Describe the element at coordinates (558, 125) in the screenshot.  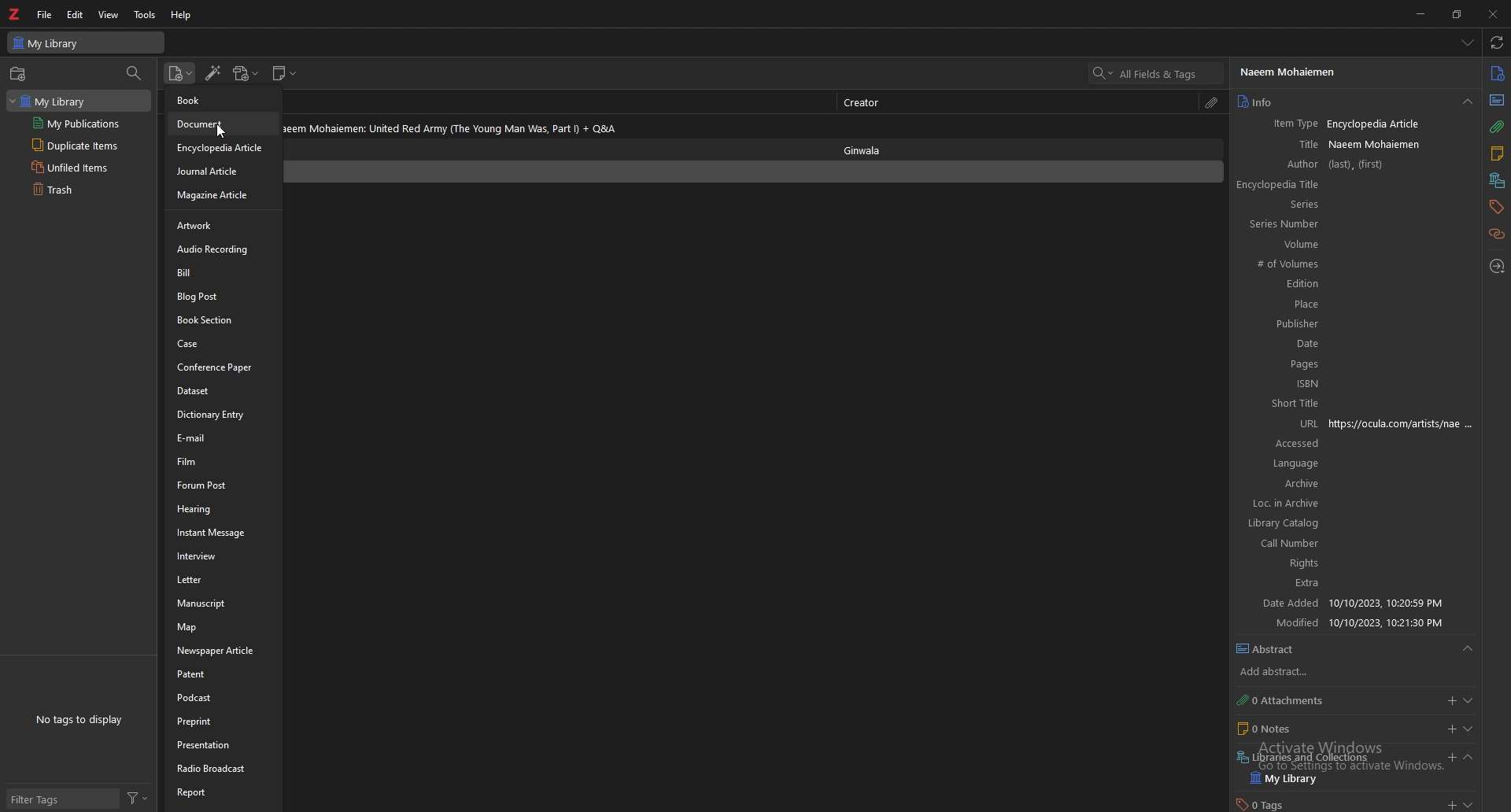
I see `item` at that location.